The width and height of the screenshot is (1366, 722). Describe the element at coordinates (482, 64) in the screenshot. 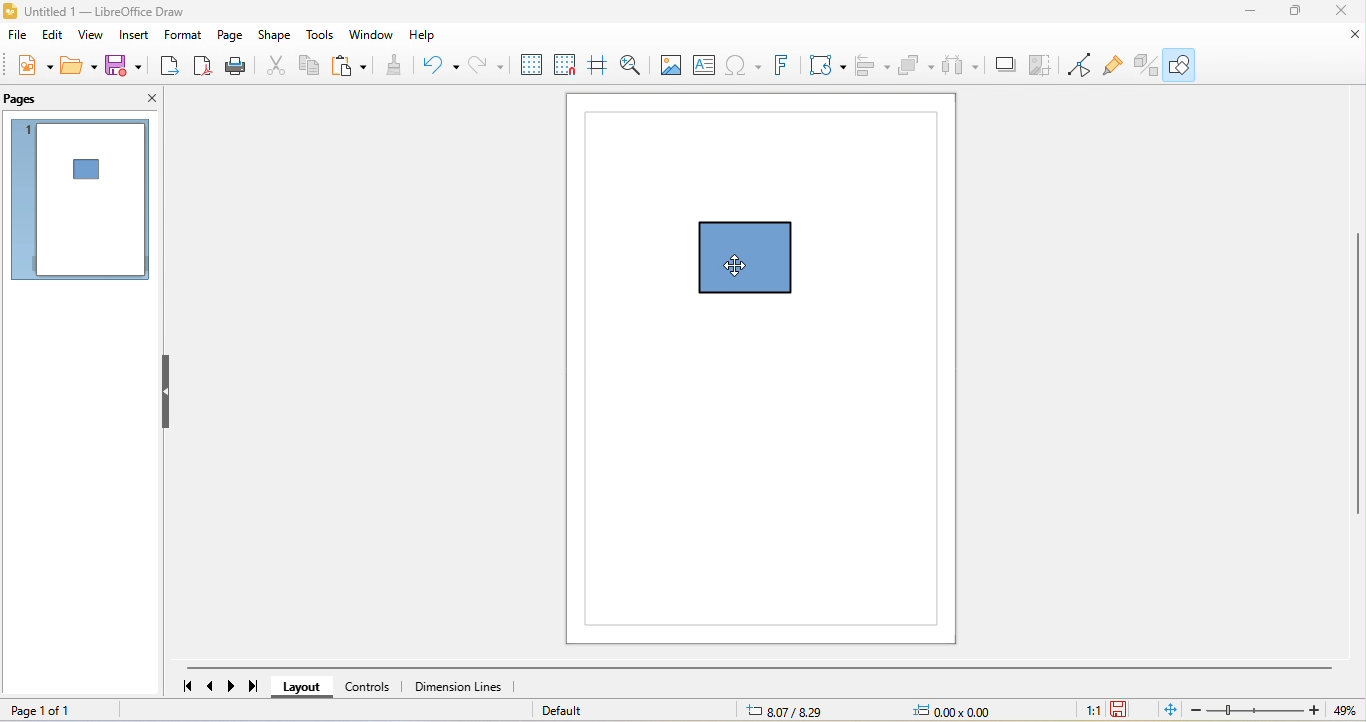

I see `redo` at that location.